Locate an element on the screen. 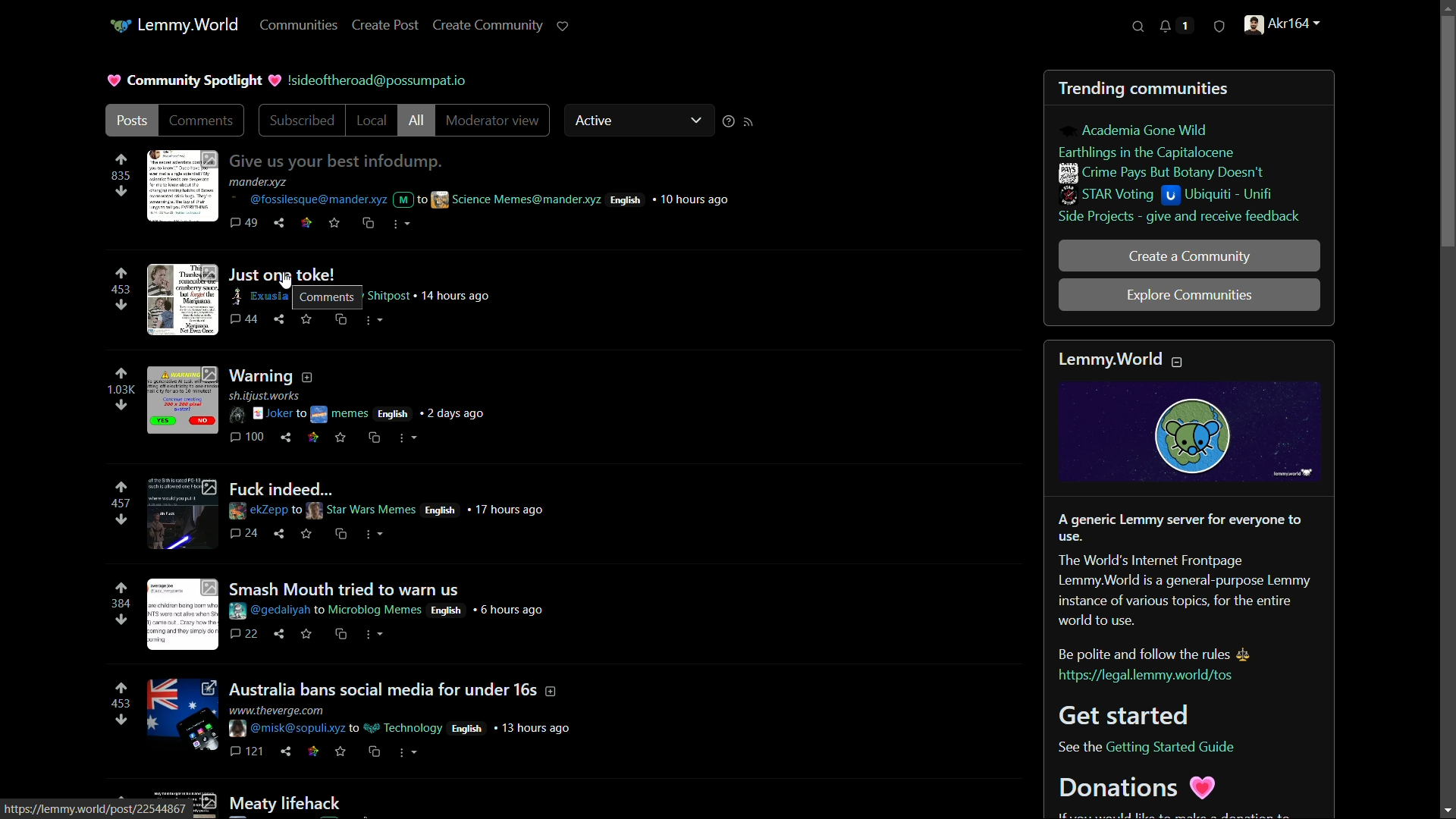 The image size is (1456, 819). downvote is located at coordinates (121, 620).